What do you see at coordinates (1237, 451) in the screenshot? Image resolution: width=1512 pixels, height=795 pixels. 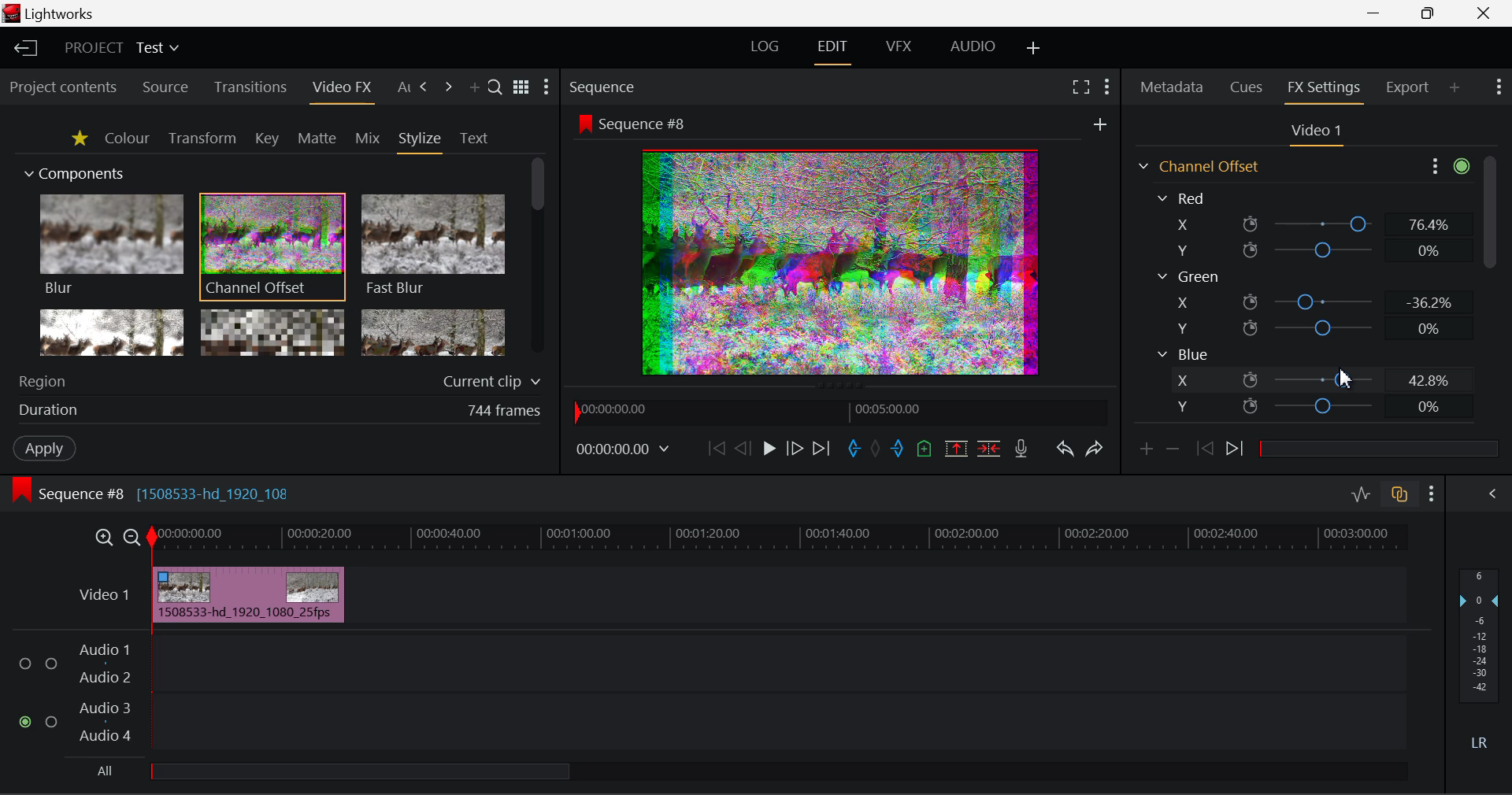 I see `Next keyframe` at bounding box center [1237, 451].